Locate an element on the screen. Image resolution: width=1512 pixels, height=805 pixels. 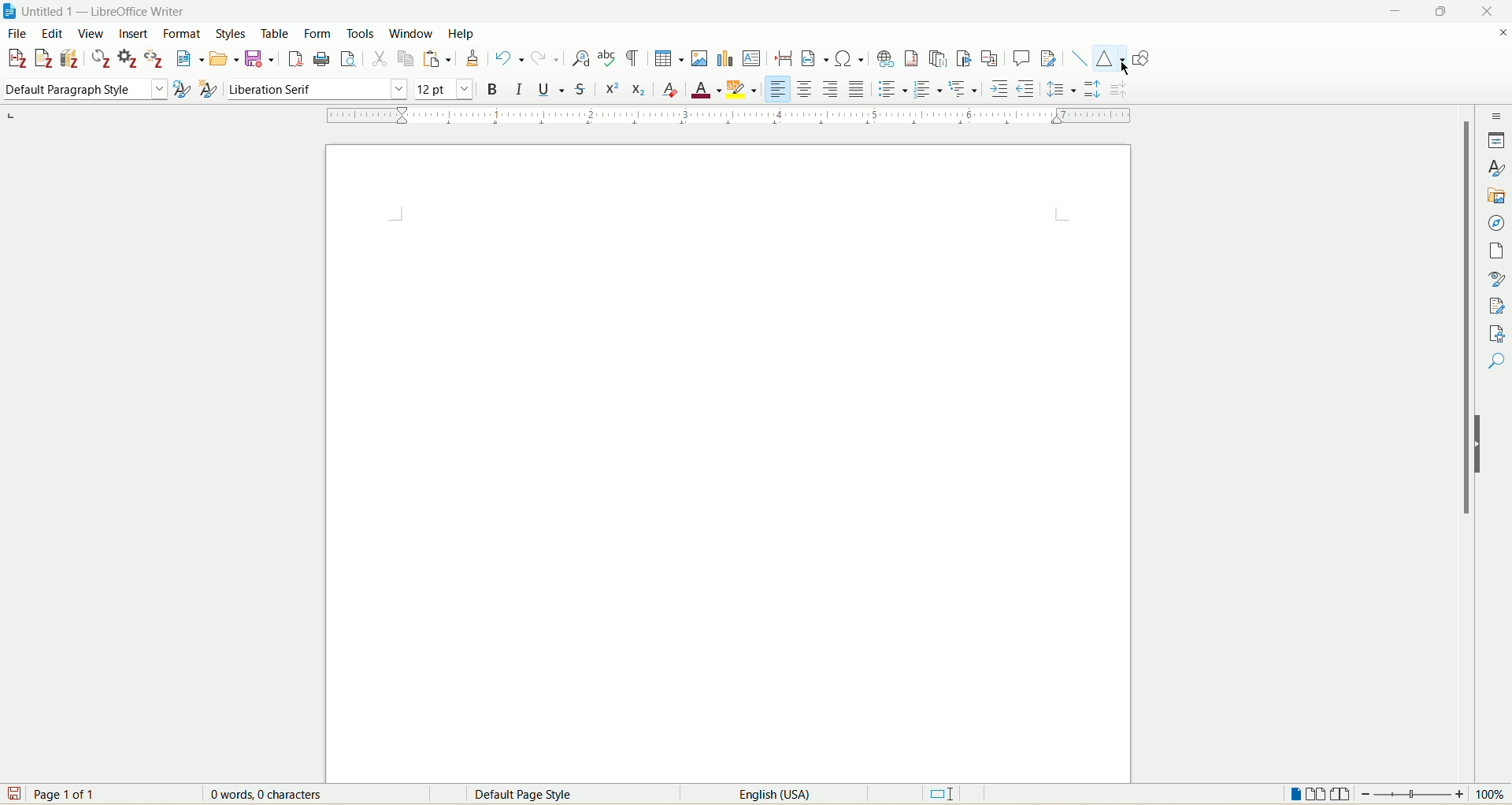
zoom percent is located at coordinates (1492, 794).